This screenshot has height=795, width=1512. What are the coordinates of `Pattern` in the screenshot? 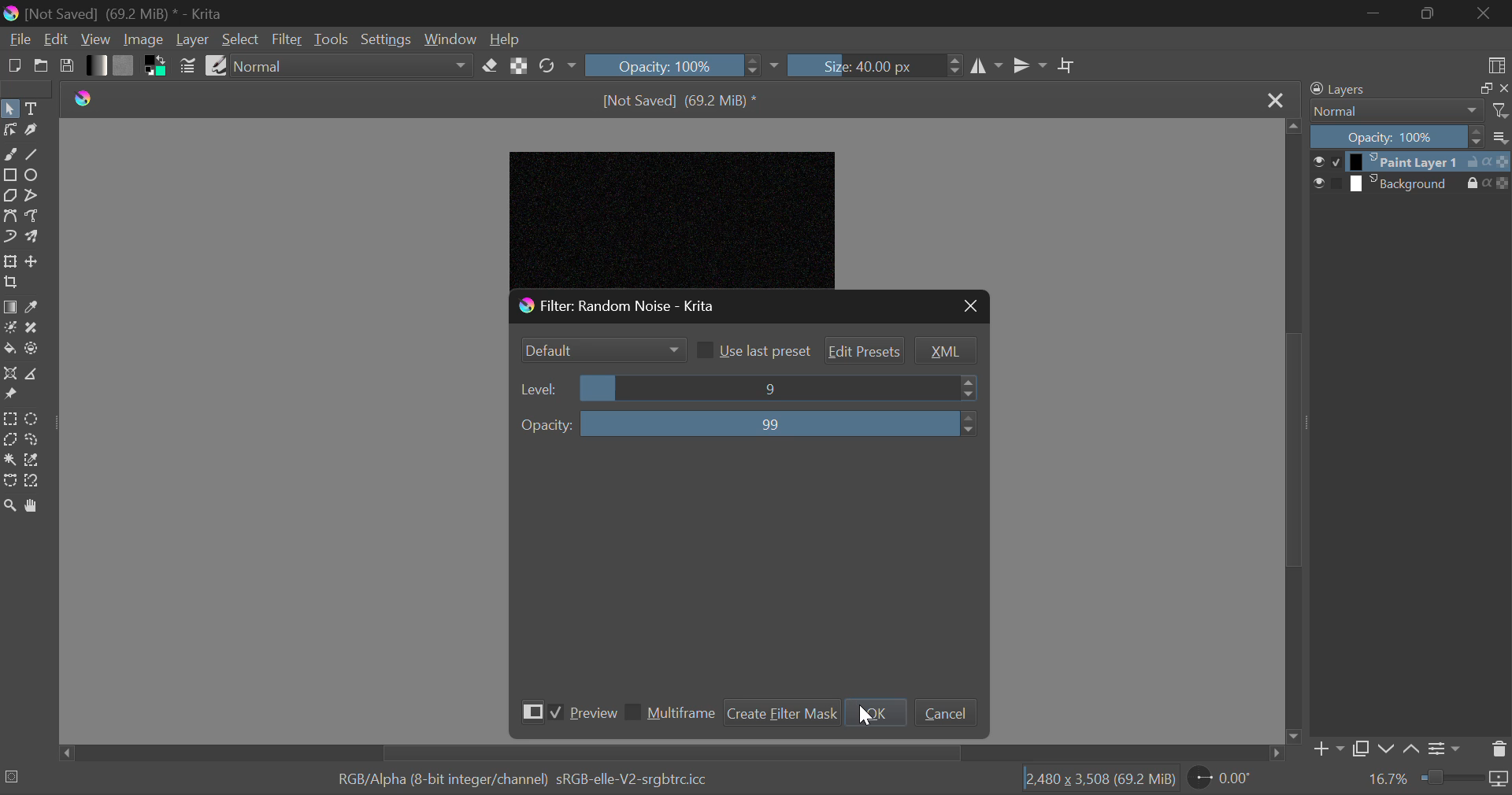 It's located at (126, 65).